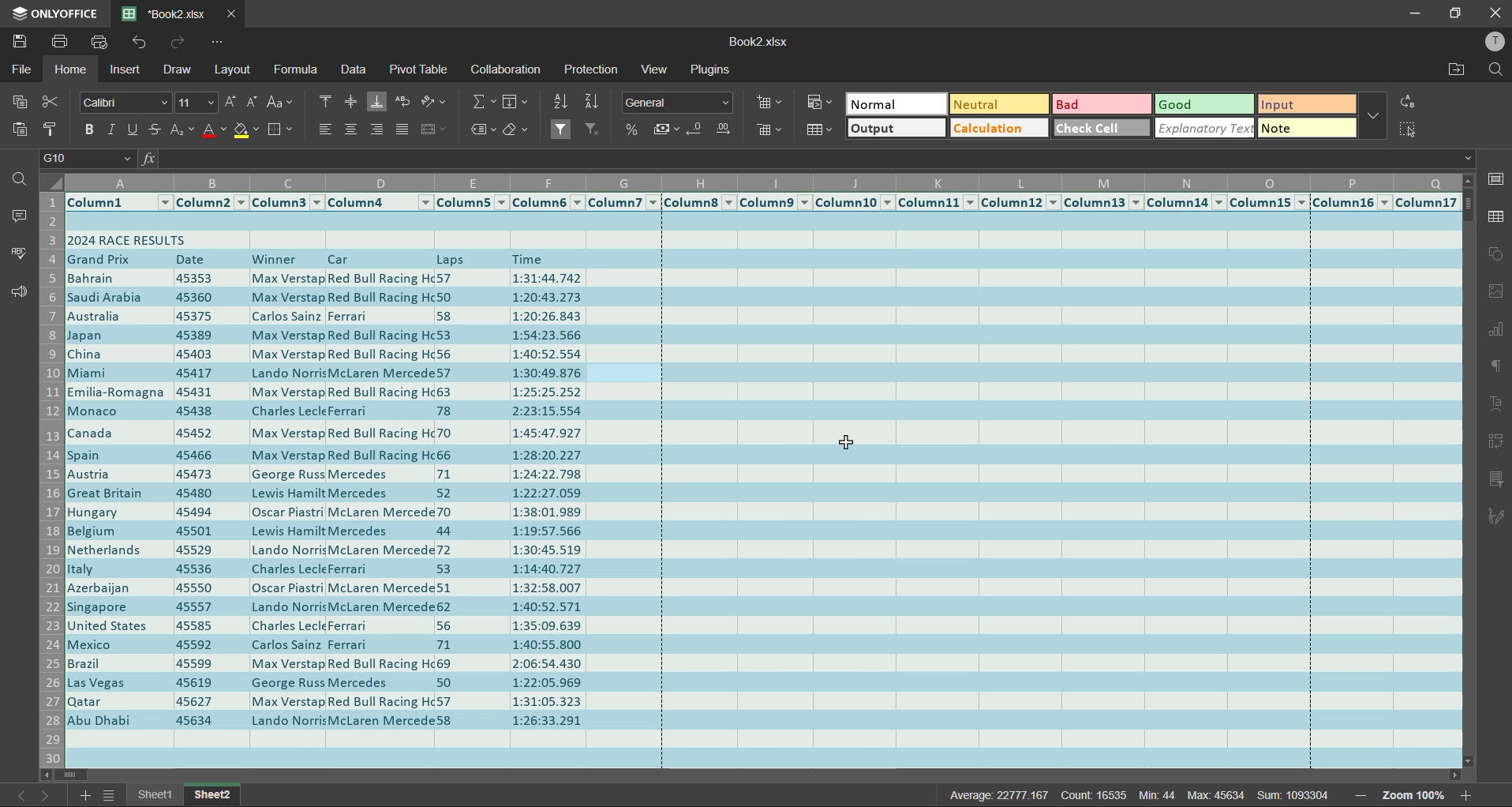 This screenshot has height=807, width=1512. I want to click on data, so click(352, 72).